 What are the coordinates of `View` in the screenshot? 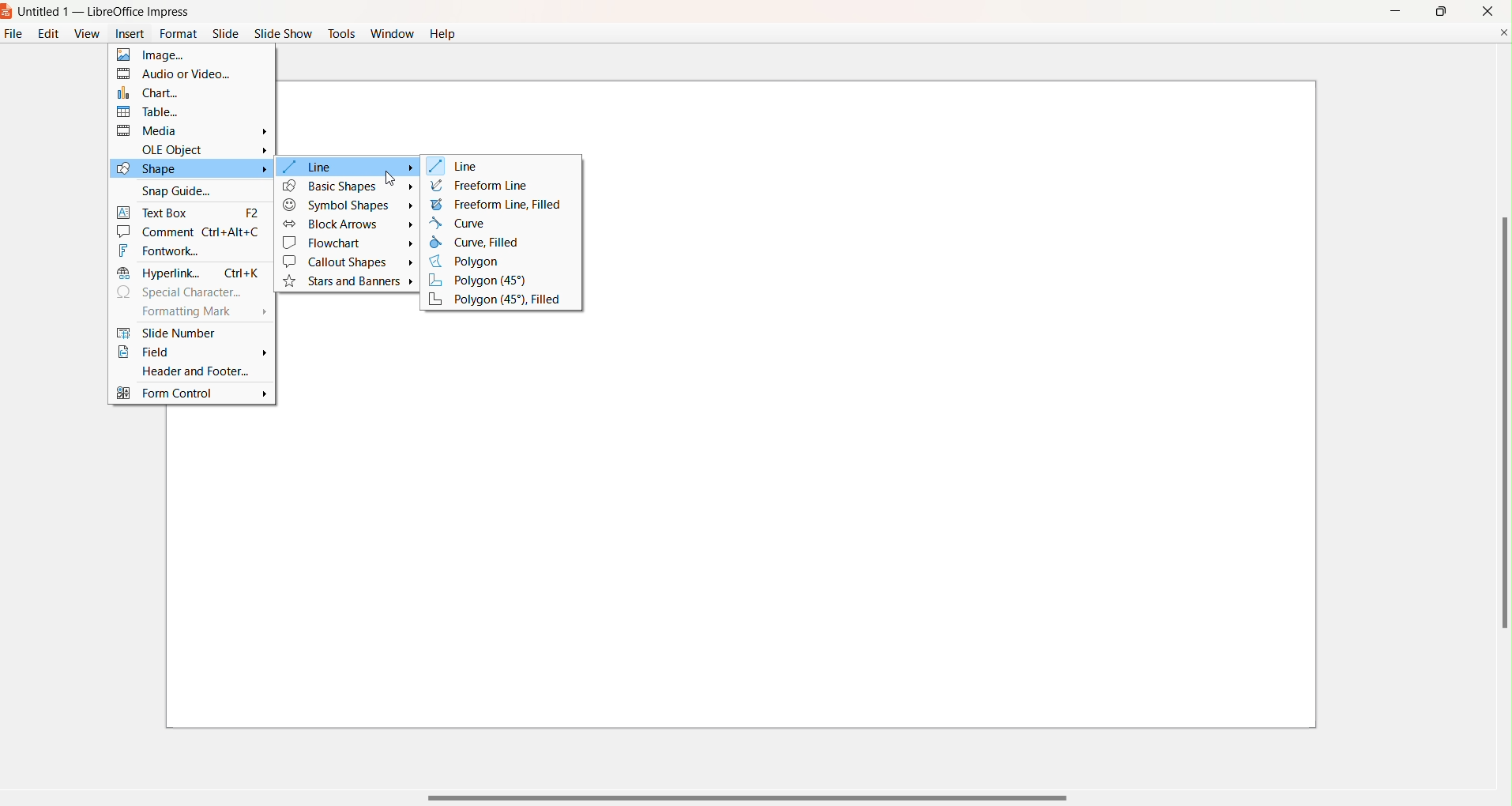 It's located at (86, 33).